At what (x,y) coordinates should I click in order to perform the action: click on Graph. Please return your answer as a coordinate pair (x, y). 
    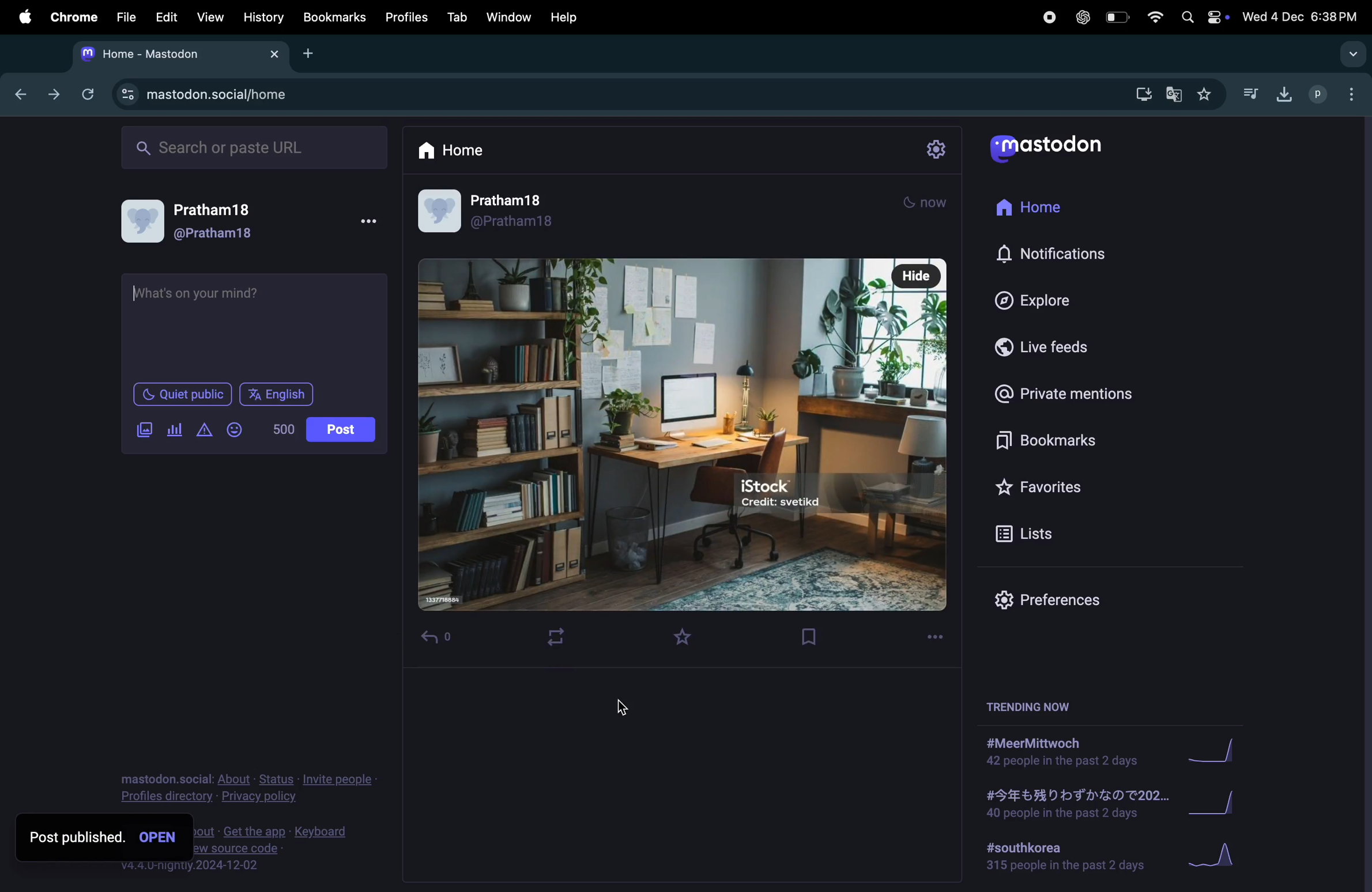
    Looking at the image, I should click on (1218, 857).